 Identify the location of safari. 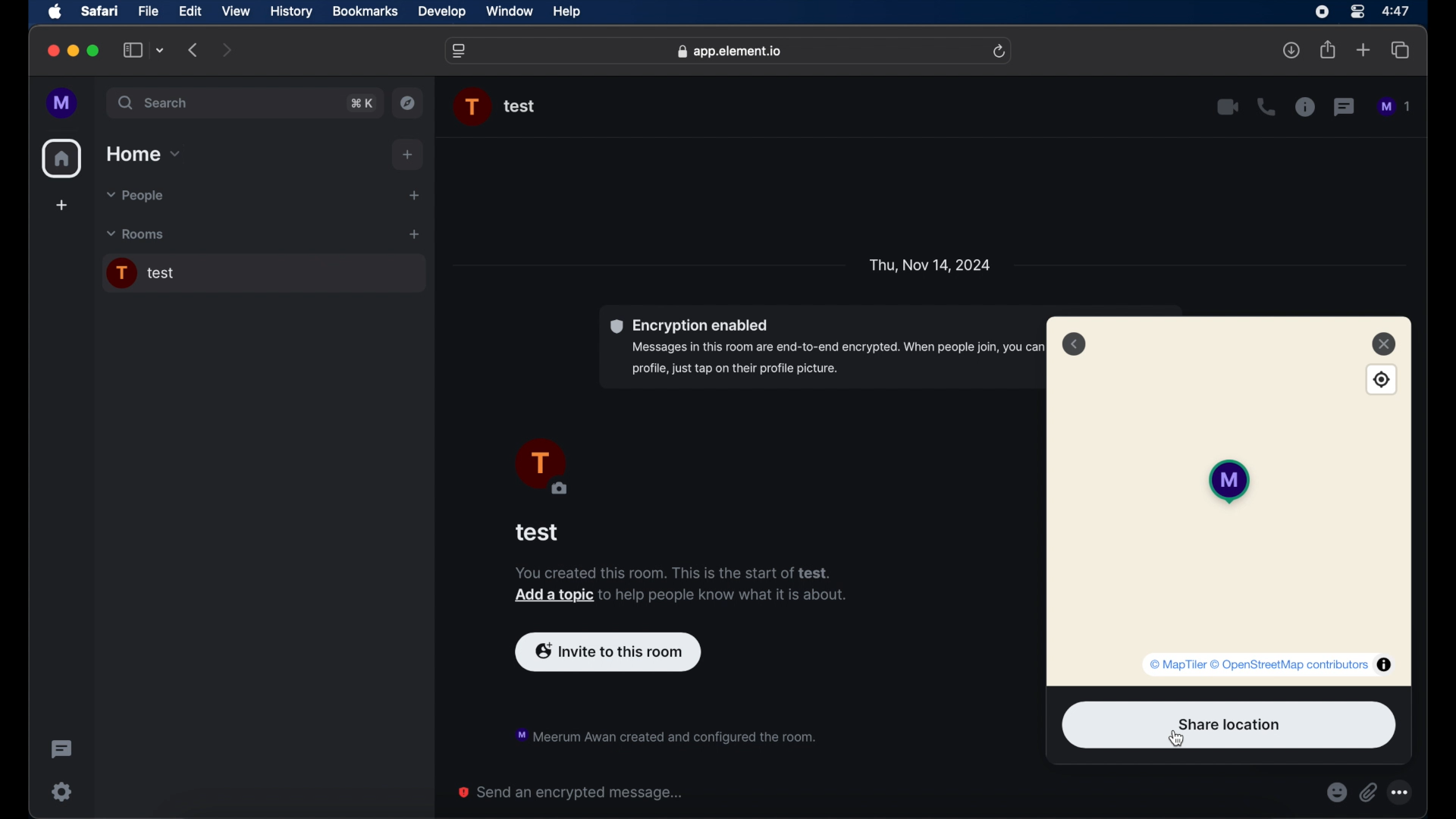
(100, 12).